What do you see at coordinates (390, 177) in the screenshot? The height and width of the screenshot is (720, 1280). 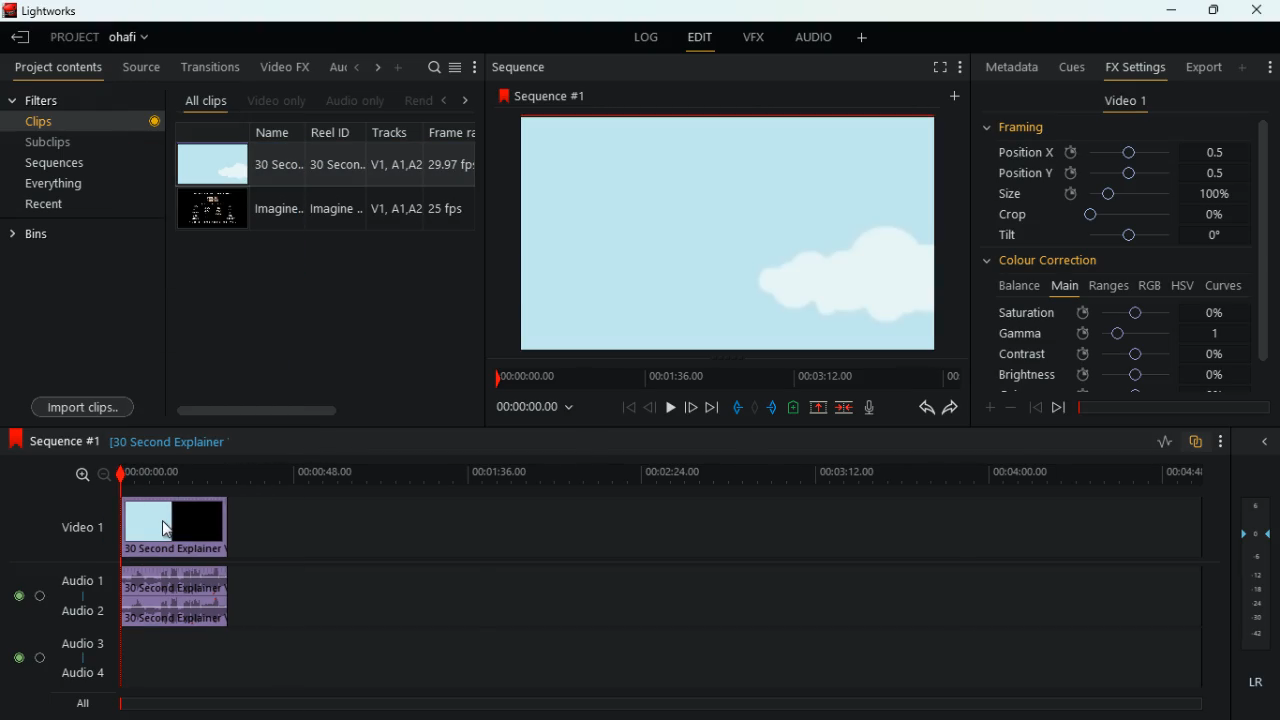 I see `tracks` at bounding box center [390, 177].